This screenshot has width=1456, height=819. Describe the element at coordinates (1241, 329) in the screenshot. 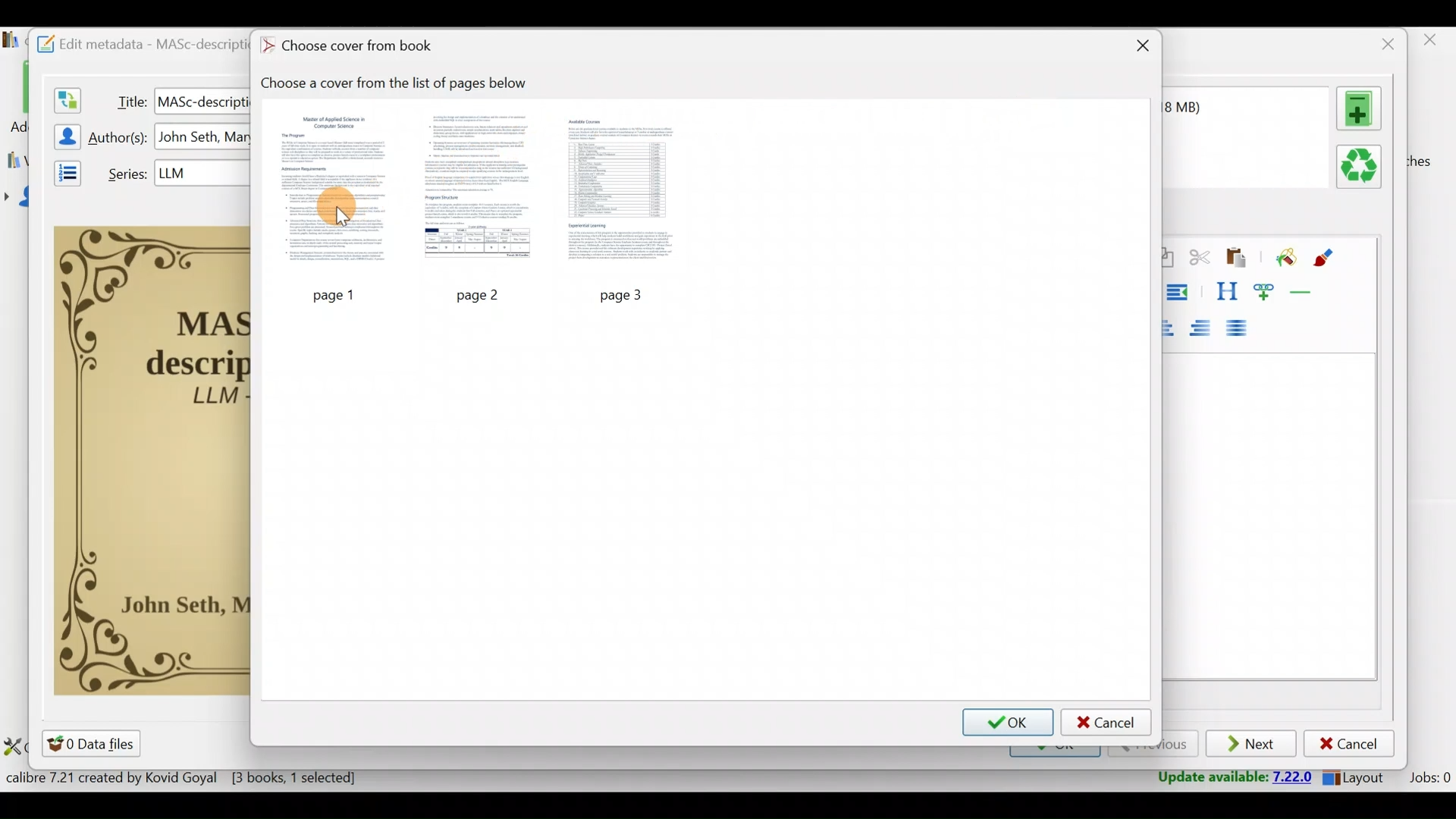

I see `Align justified` at that location.